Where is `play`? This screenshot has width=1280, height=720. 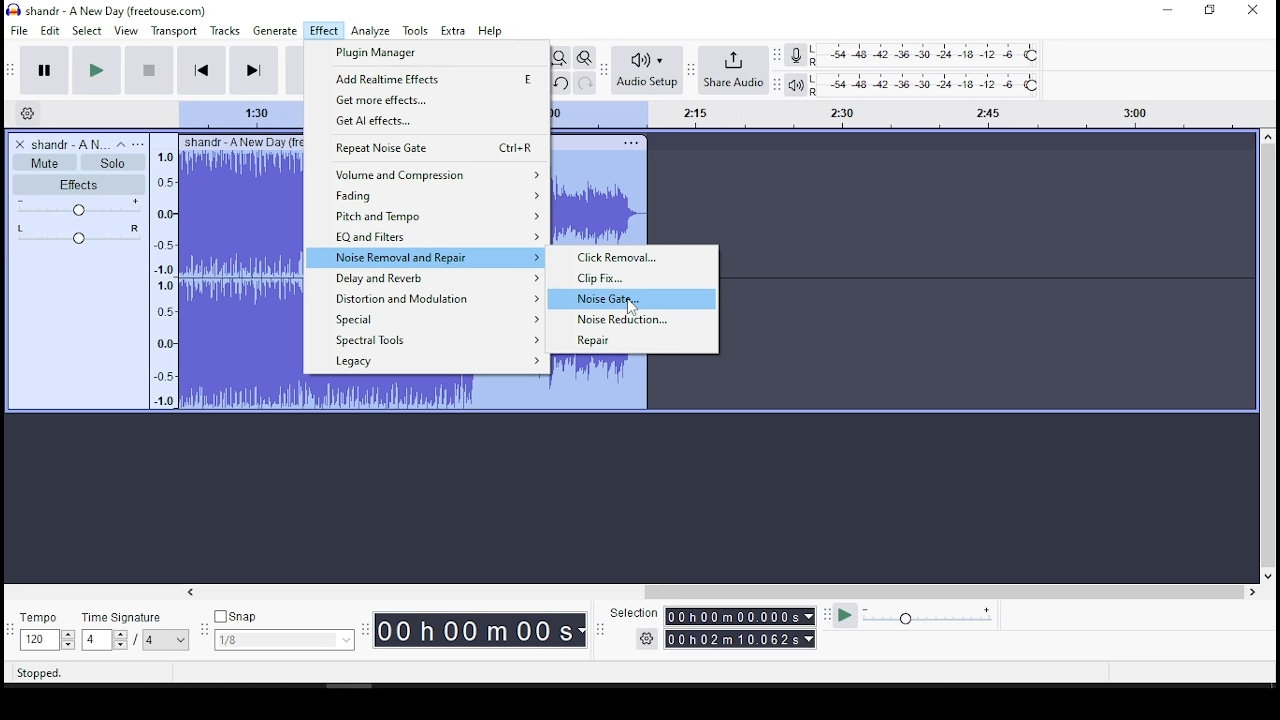
play is located at coordinates (97, 71).